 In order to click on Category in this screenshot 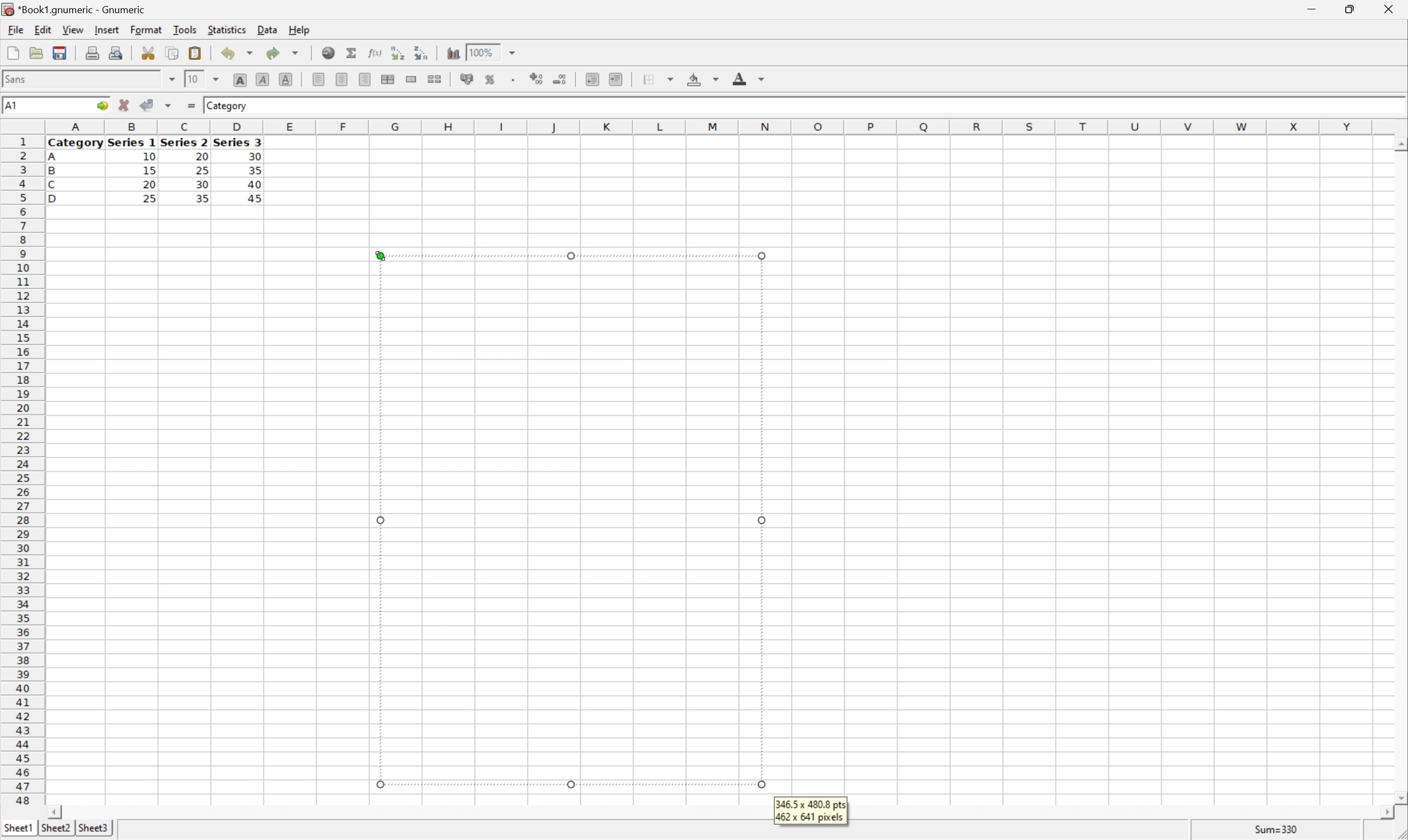, I will do `click(76, 144)`.